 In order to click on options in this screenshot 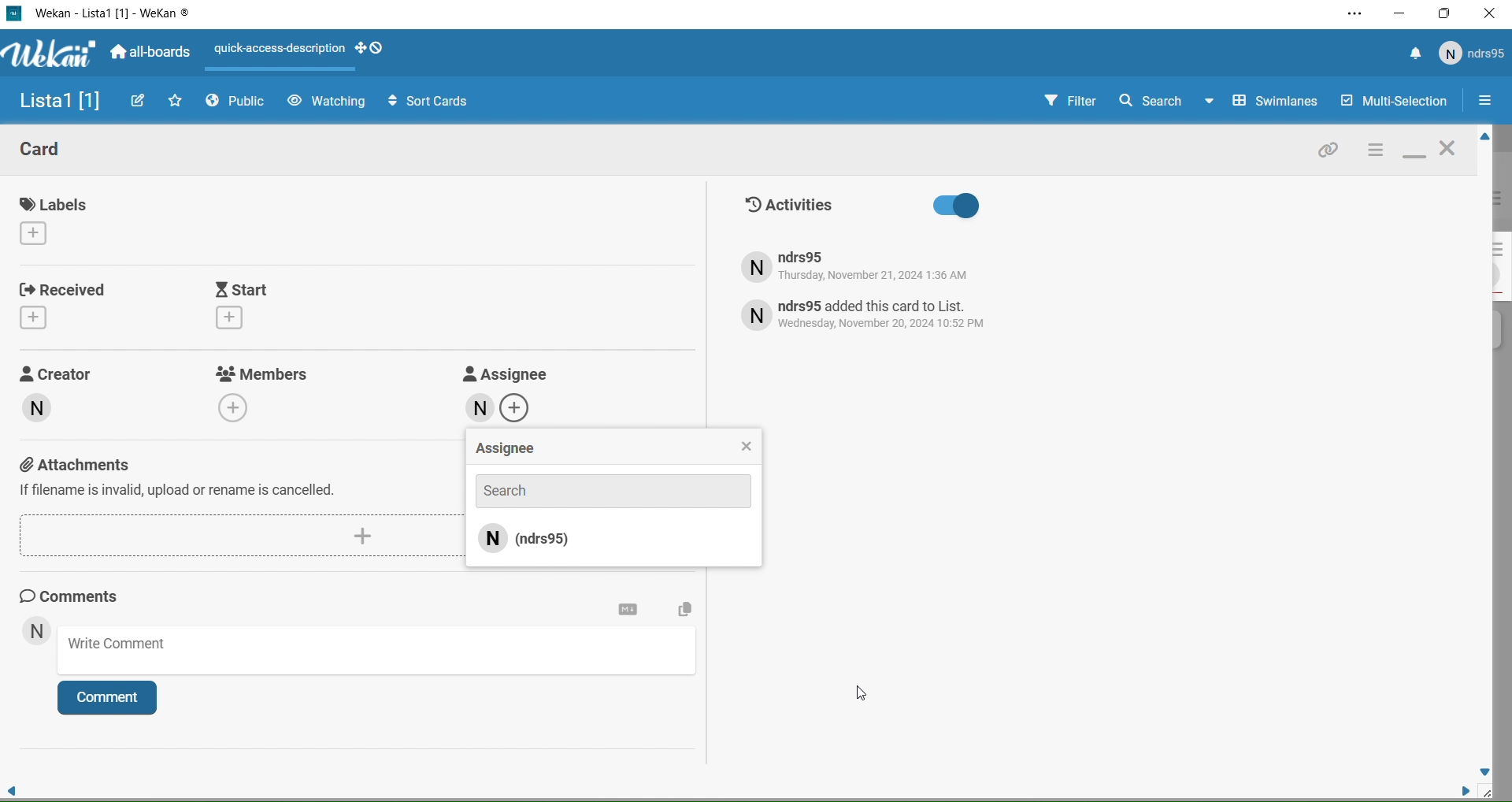, I will do `click(1374, 151)`.